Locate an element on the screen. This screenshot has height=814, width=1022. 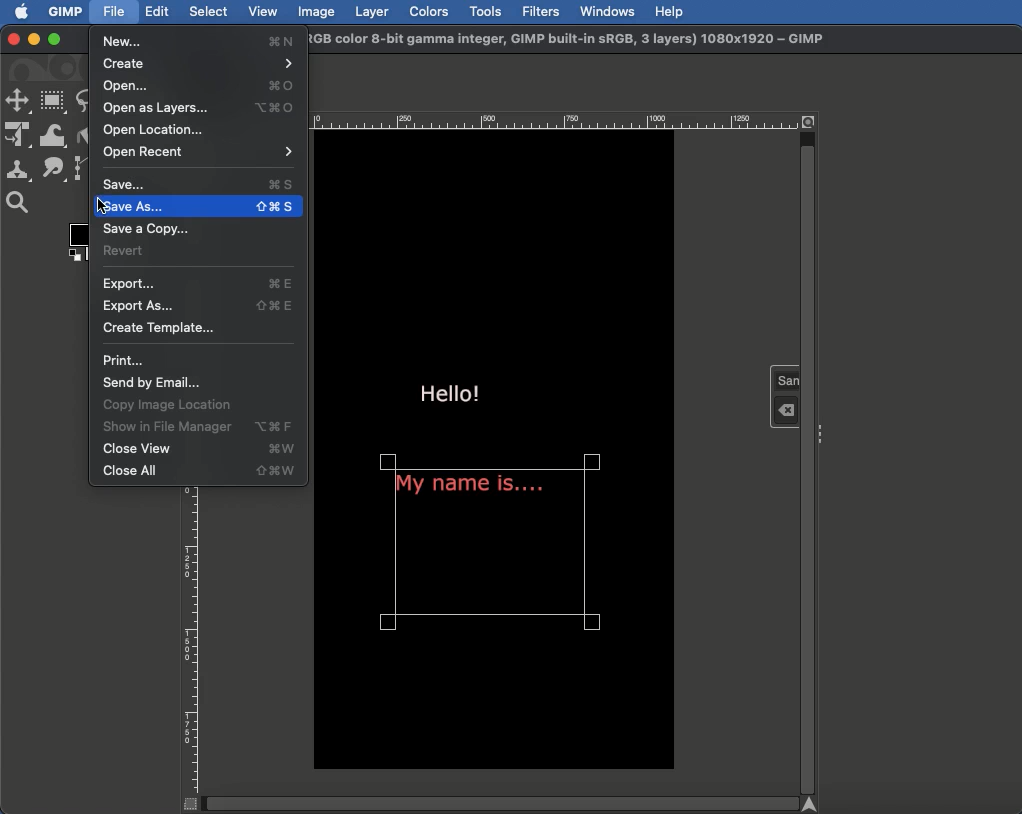
Text tool is located at coordinates (785, 394).